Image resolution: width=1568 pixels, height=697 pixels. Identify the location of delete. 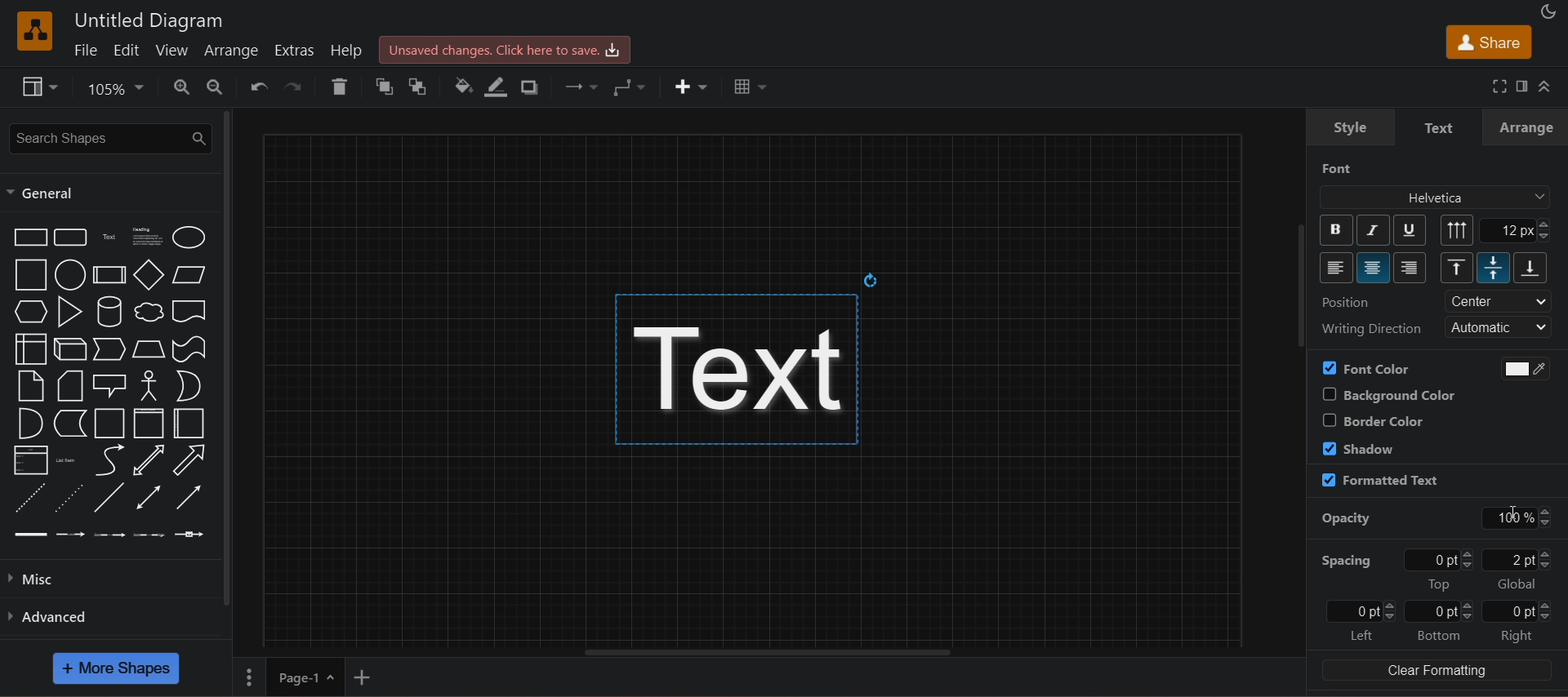
(340, 86).